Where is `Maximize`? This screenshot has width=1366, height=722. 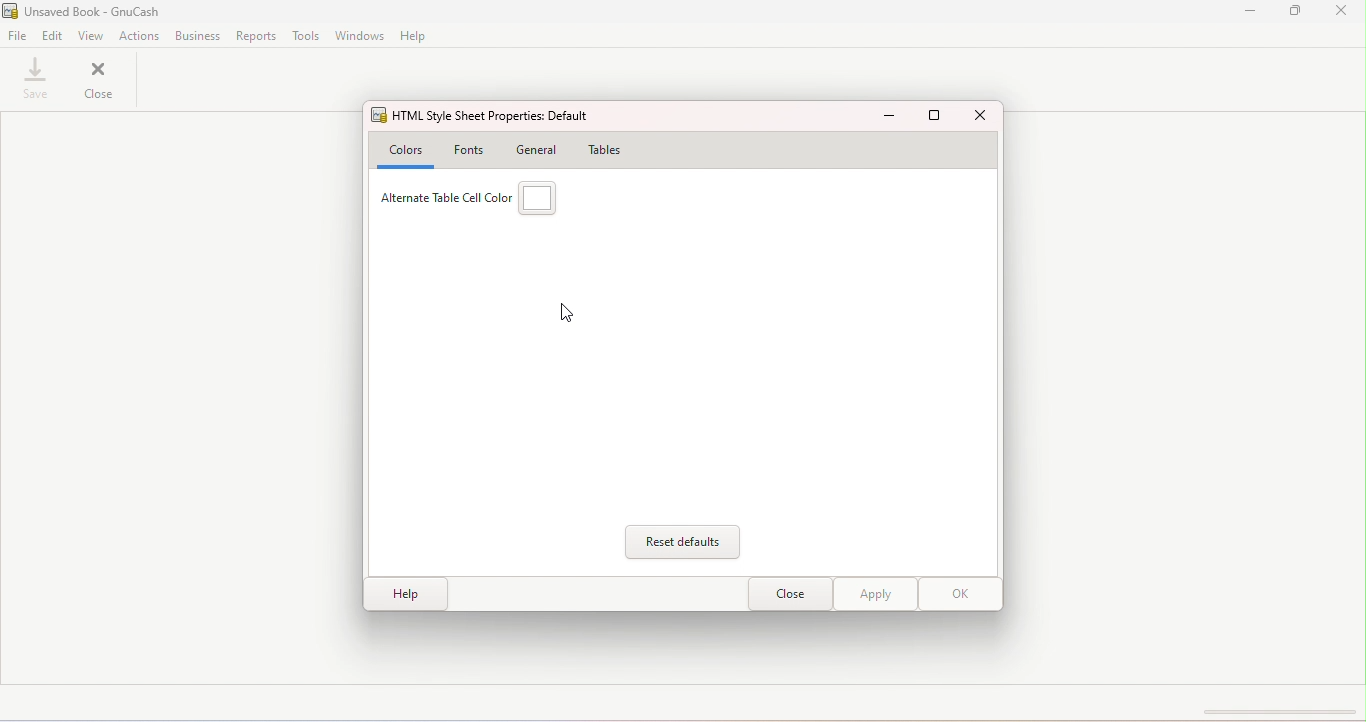 Maximize is located at coordinates (1299, 11).